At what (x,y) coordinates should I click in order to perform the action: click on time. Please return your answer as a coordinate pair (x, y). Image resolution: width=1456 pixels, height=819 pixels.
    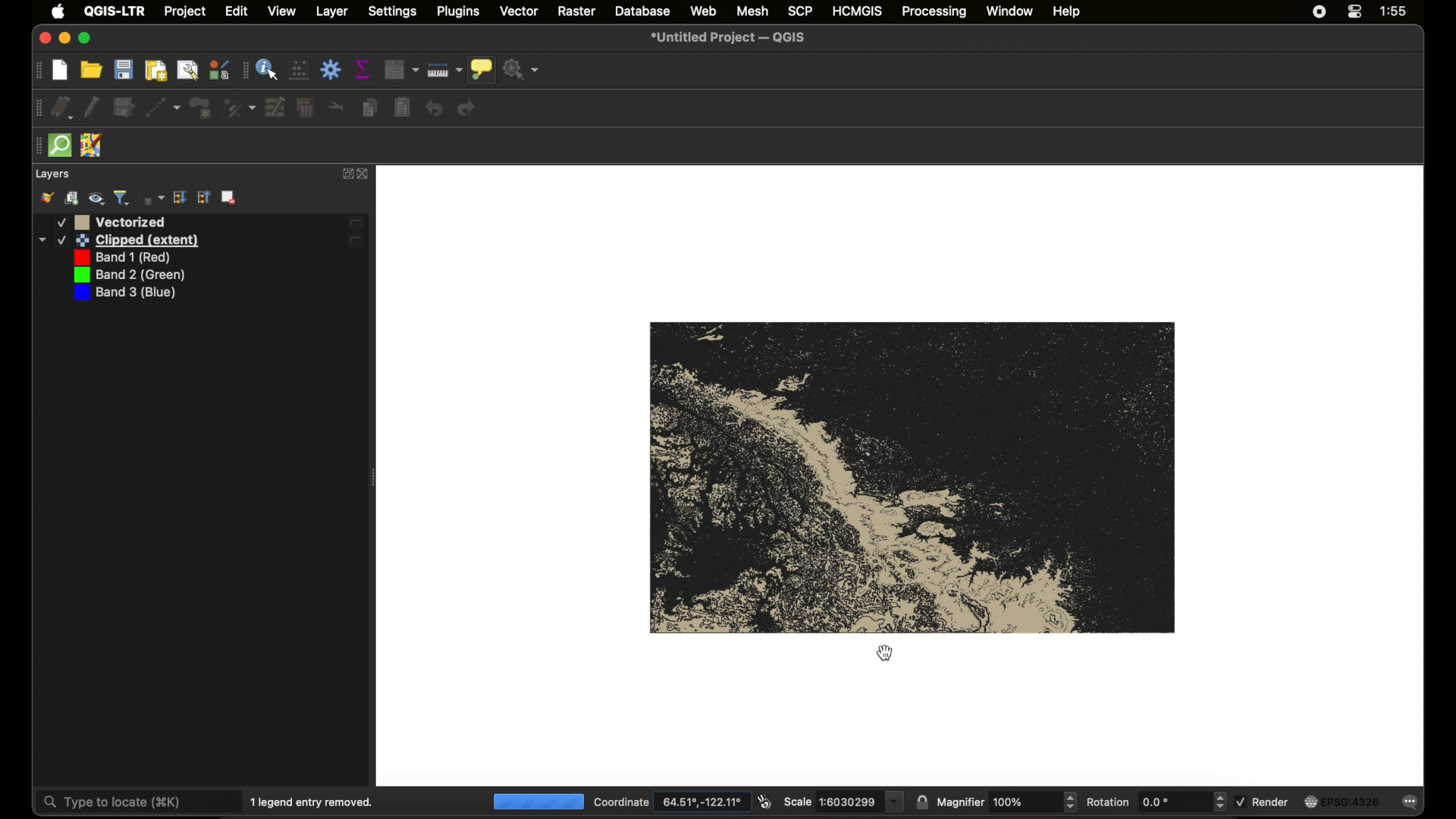
    Looking at the image, I should click on (1393, 11).